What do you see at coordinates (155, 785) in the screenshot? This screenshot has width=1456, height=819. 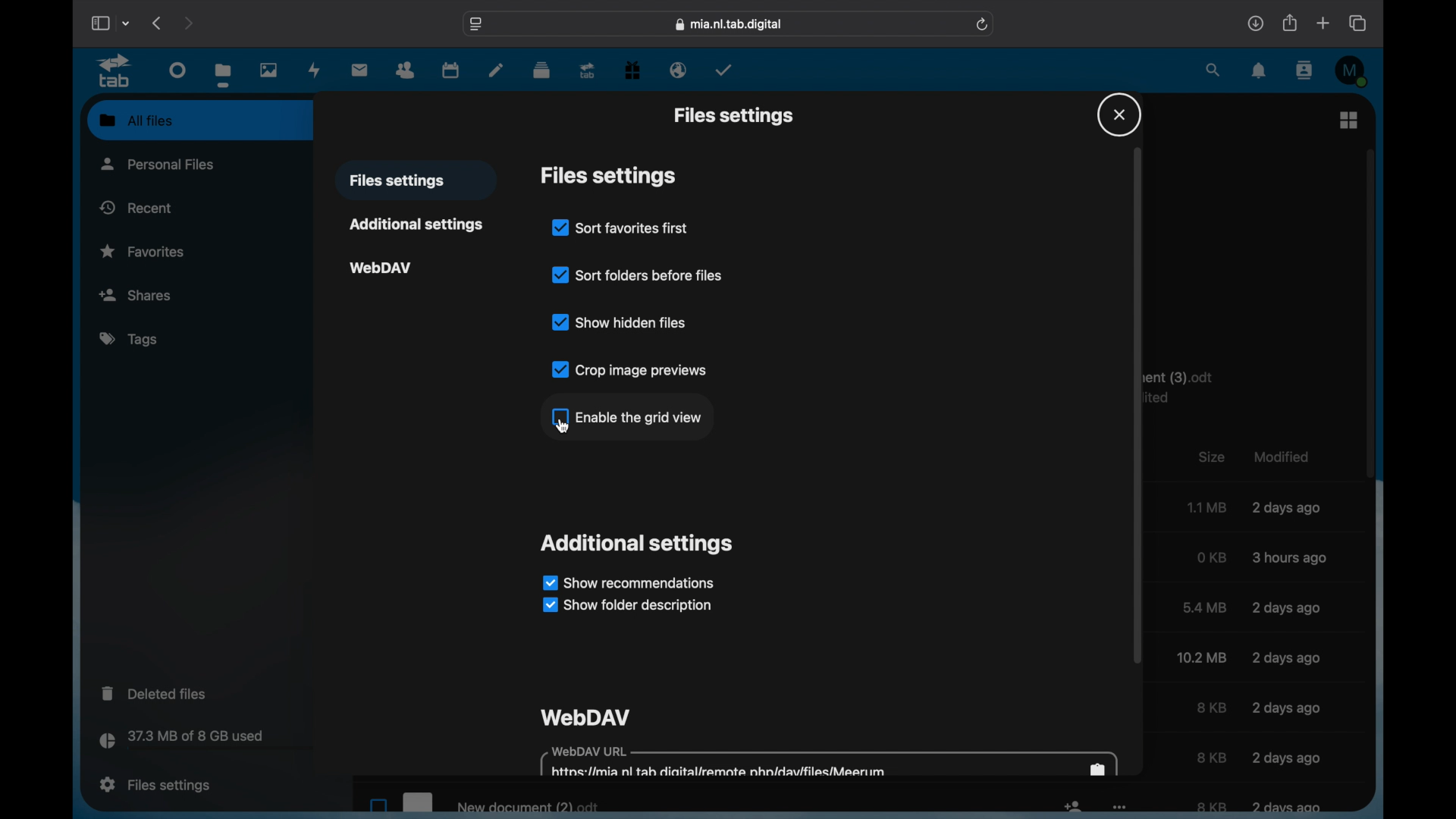 I see `files settings` at bounding box center [155, 785].